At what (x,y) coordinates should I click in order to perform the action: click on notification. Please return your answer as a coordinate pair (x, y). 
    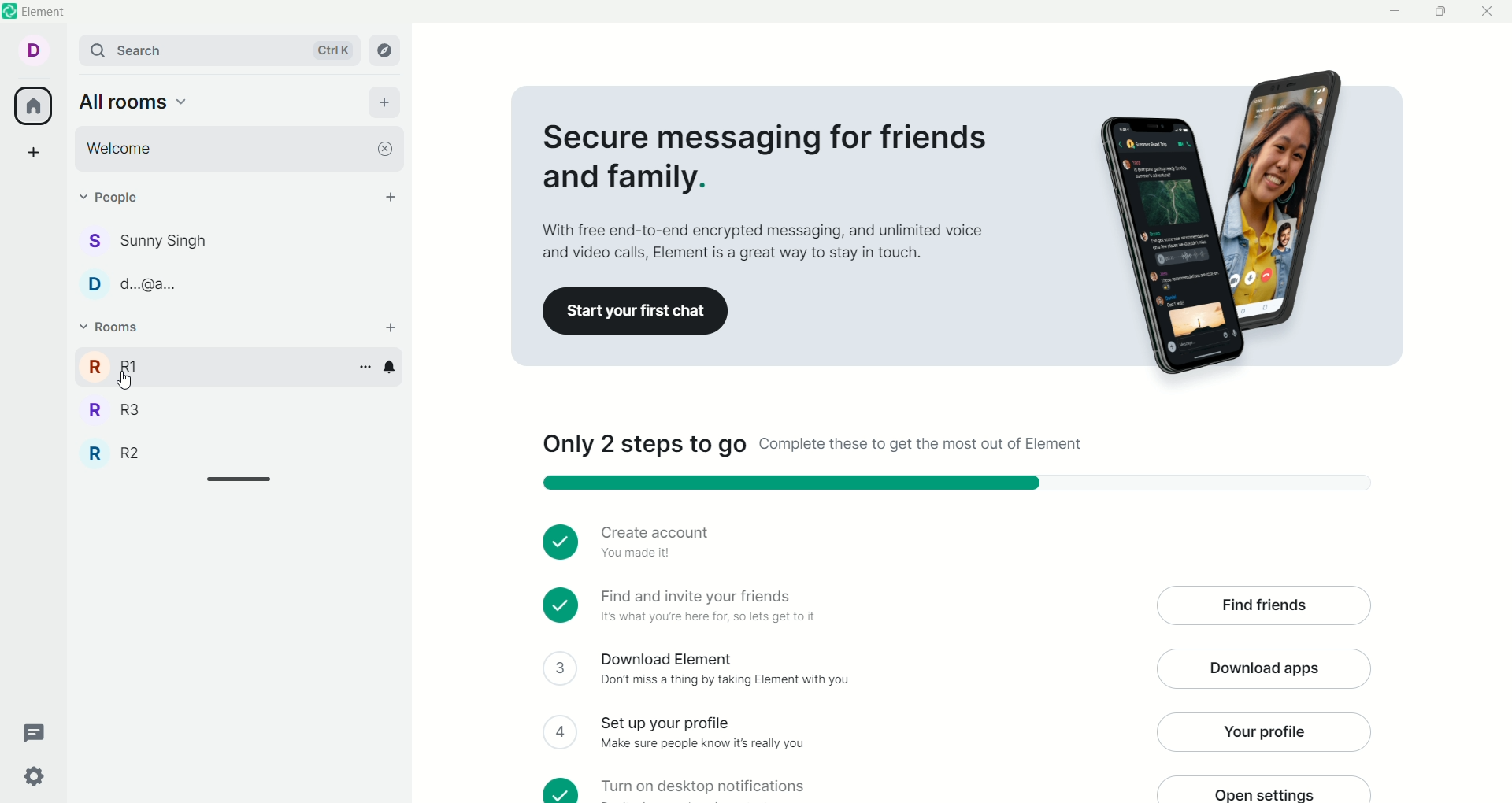
    Looking at the image, I should click on (390, 368).